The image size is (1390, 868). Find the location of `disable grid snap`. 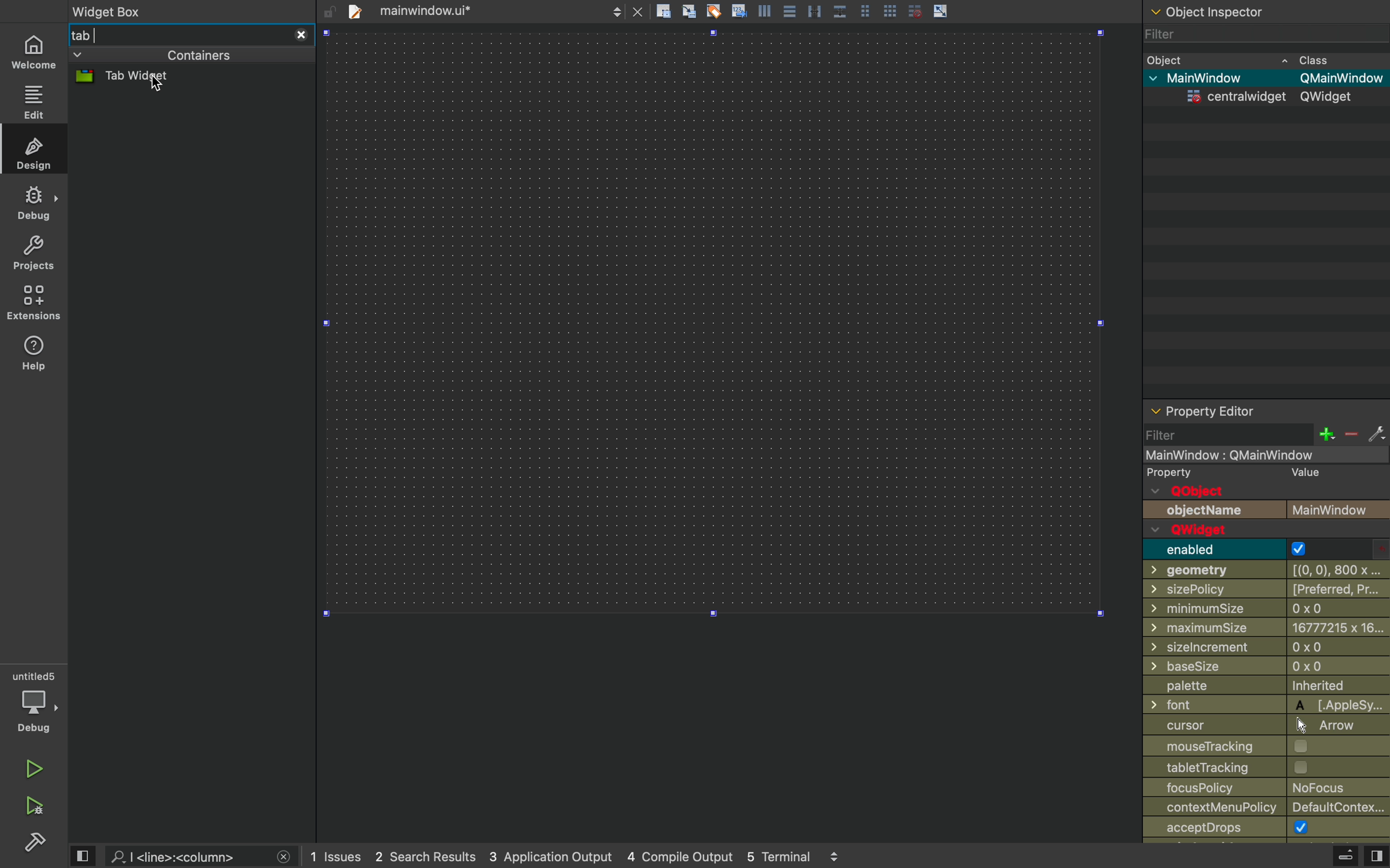

disable grid snap is located at coordinates (915, 10).